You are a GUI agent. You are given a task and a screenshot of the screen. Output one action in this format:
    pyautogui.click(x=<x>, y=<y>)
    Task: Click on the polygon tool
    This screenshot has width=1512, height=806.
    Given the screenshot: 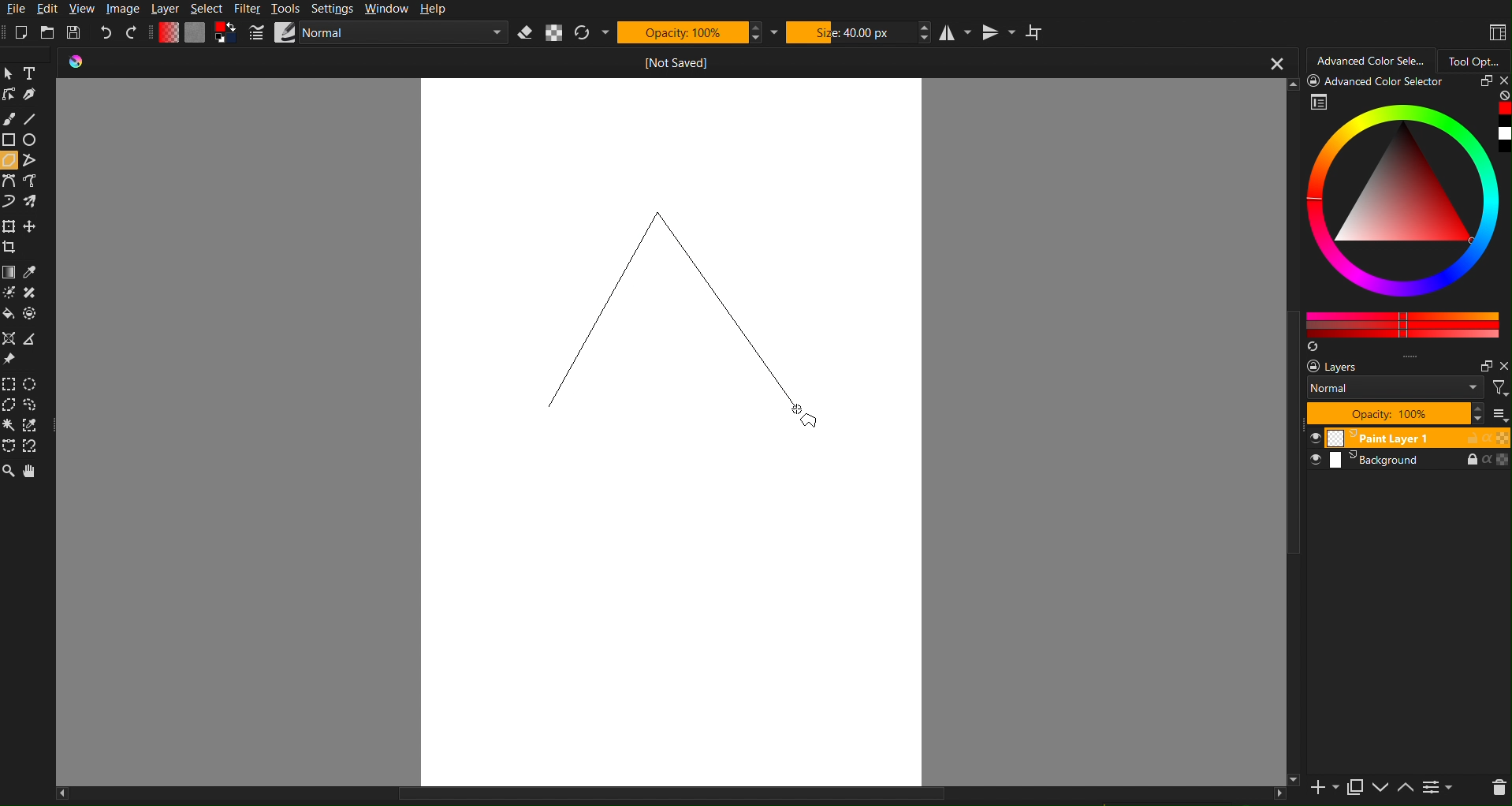 What is the action you would take?
    pyautogui.click(x=10, y=159)
    